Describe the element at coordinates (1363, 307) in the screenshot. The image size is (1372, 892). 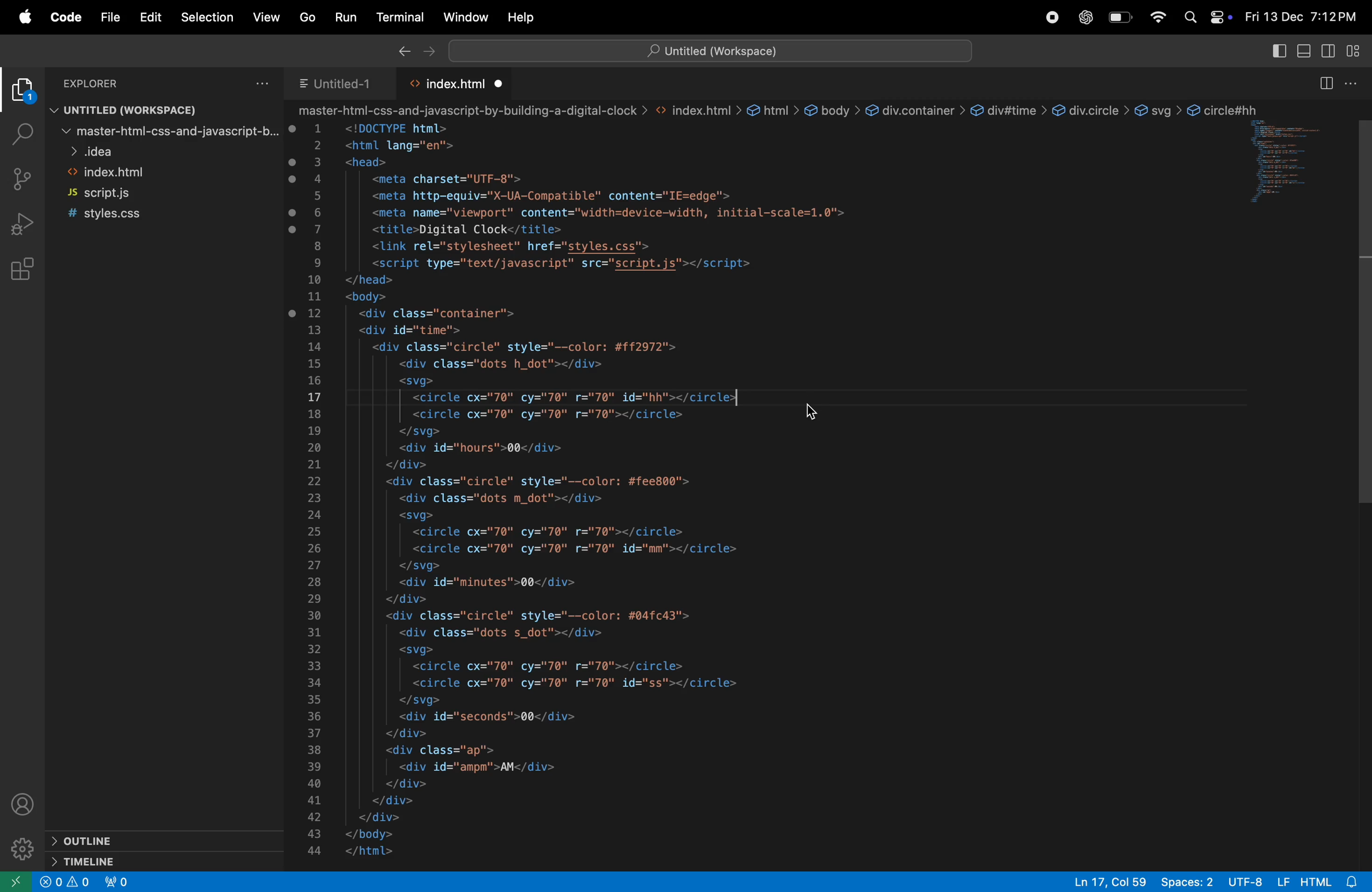
I see `Vertical scroll bar` at that location.